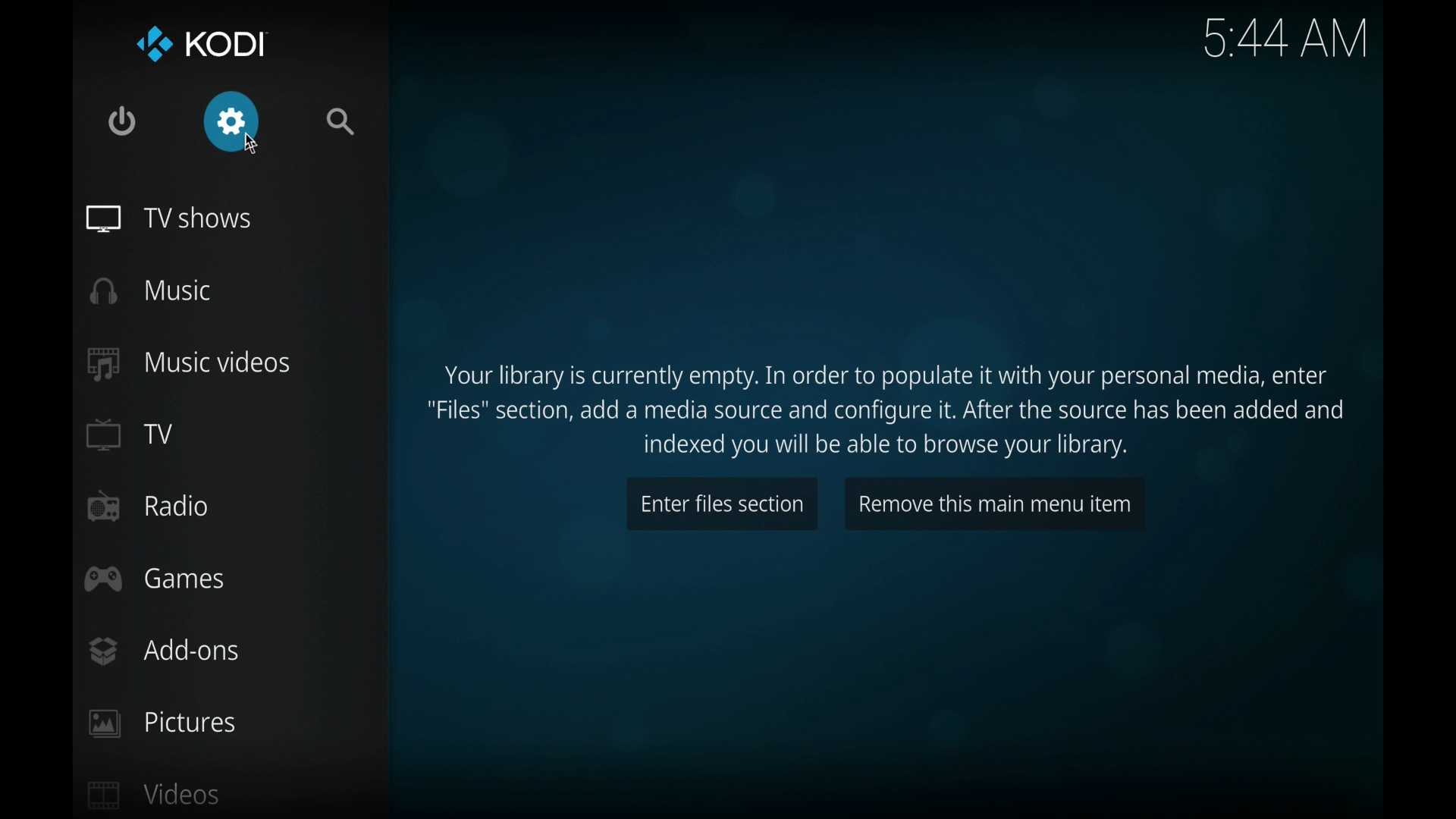  What do you see at coordinates (202, 45) in the screenshot?
I see `kodi` at bounding box center [202, 45].